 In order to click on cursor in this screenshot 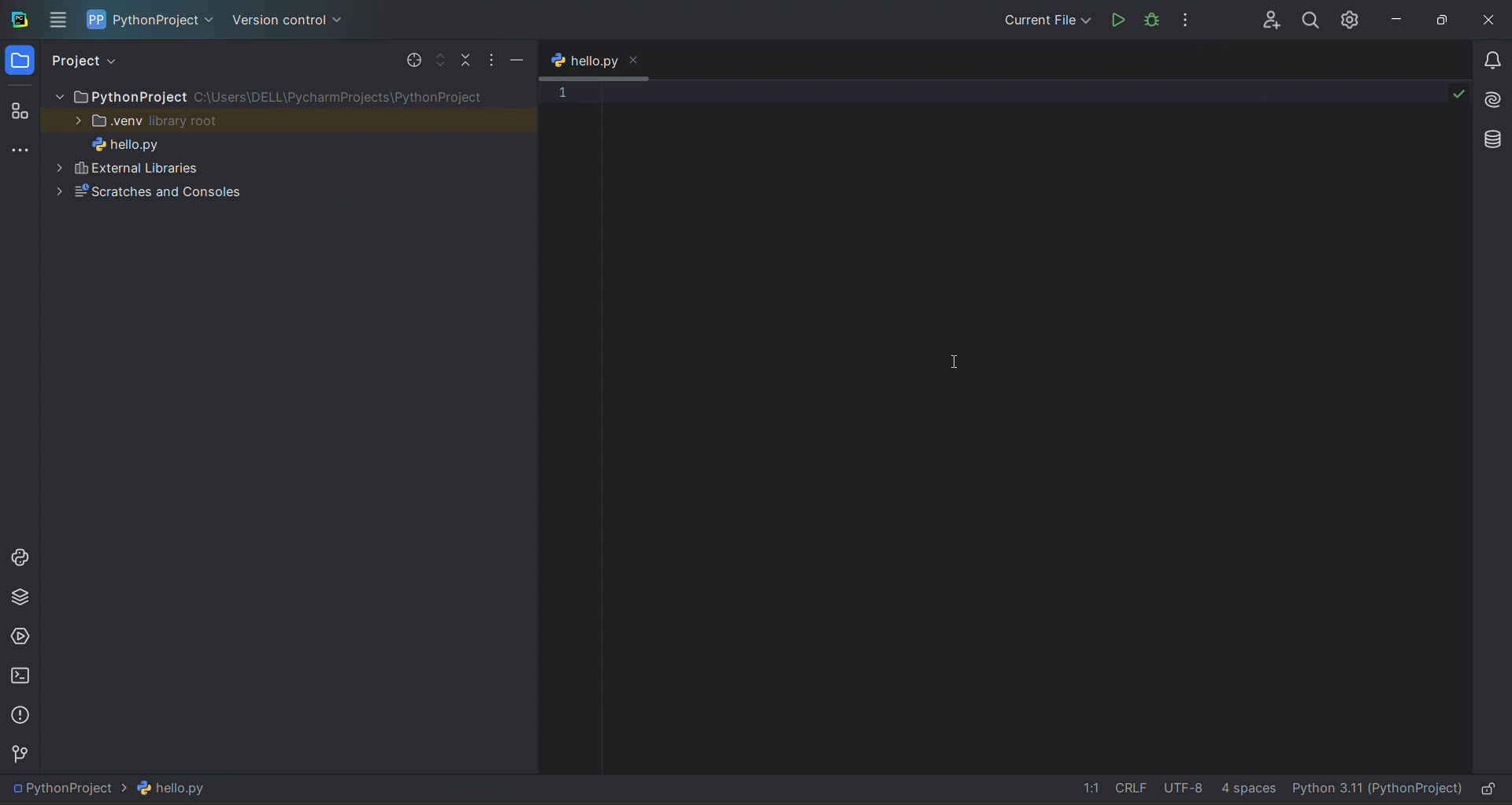, I will do `click(959, 363)`.